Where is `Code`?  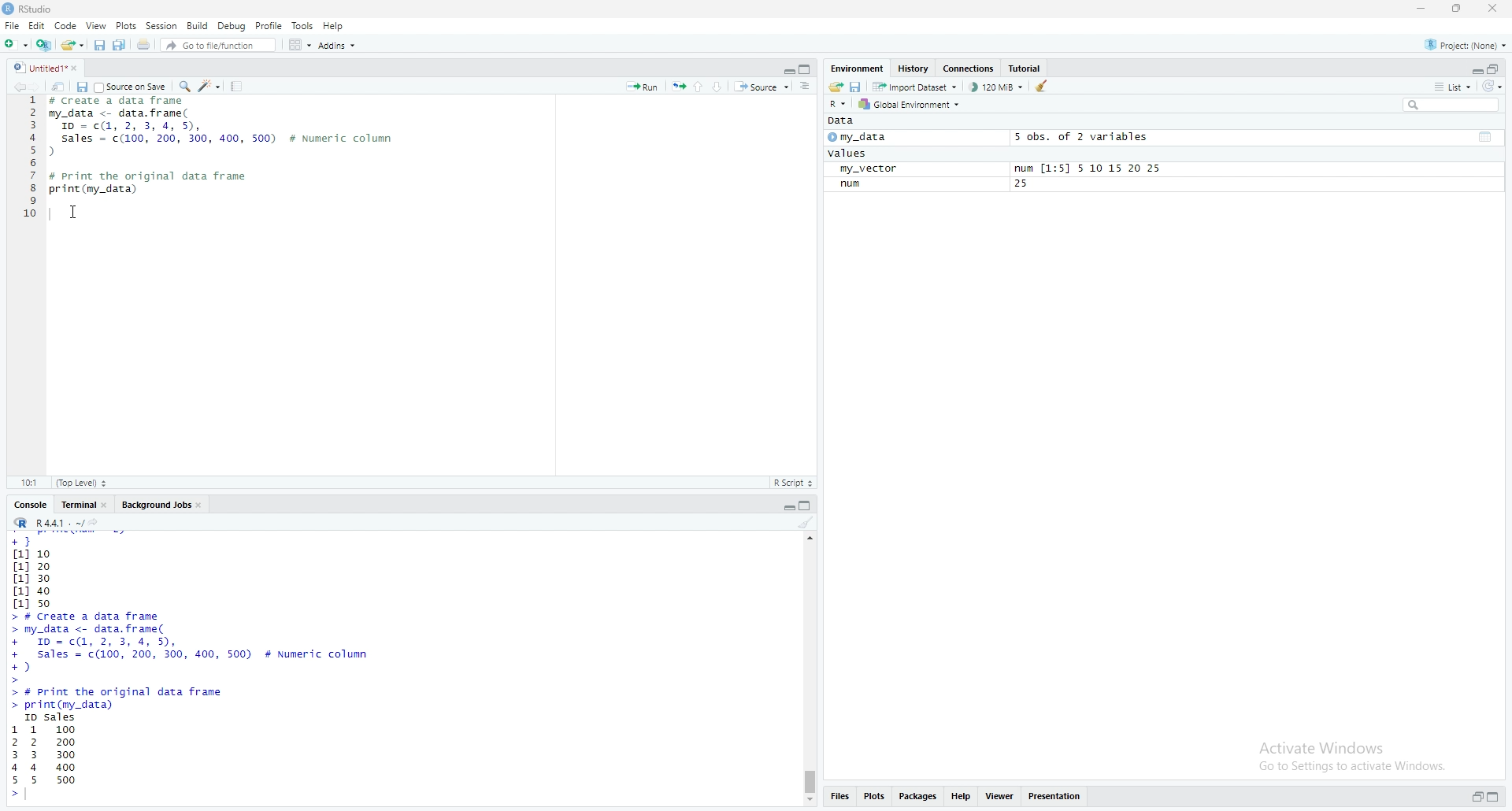
Code is located at coordinates (66, 27).